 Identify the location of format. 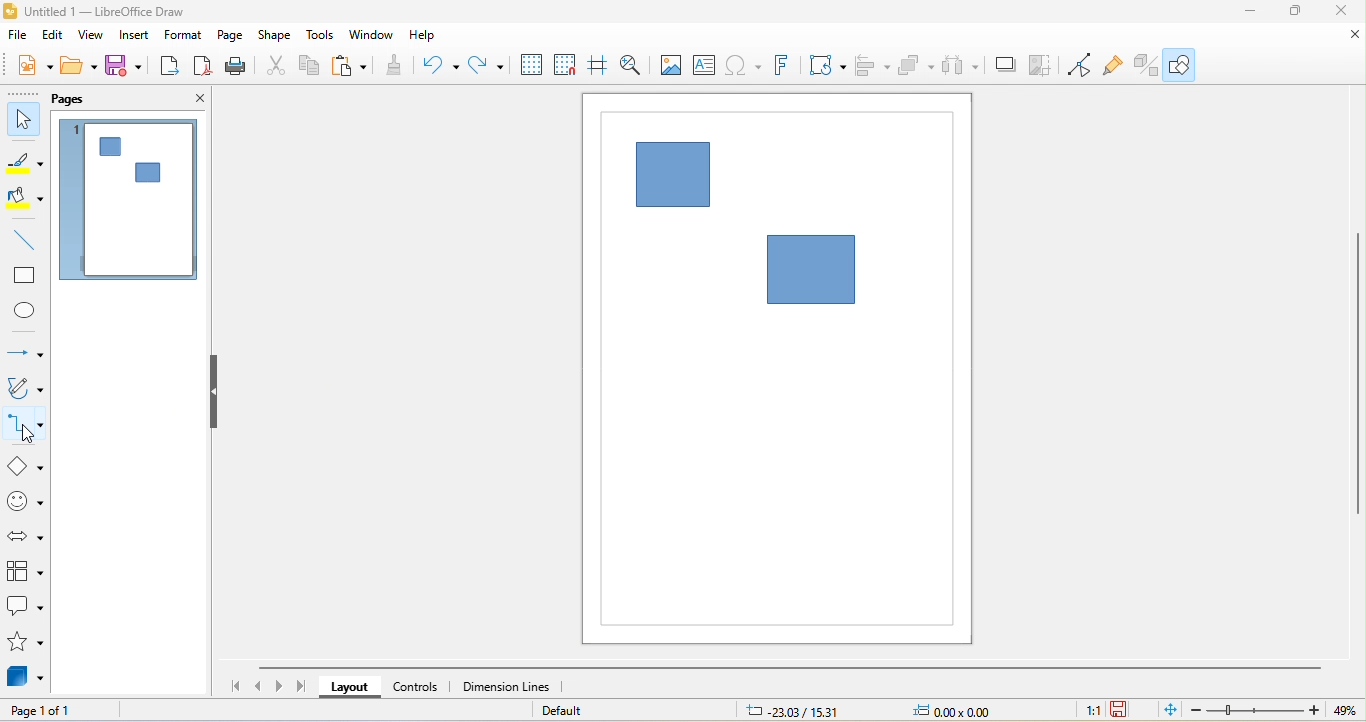
(183, 36).